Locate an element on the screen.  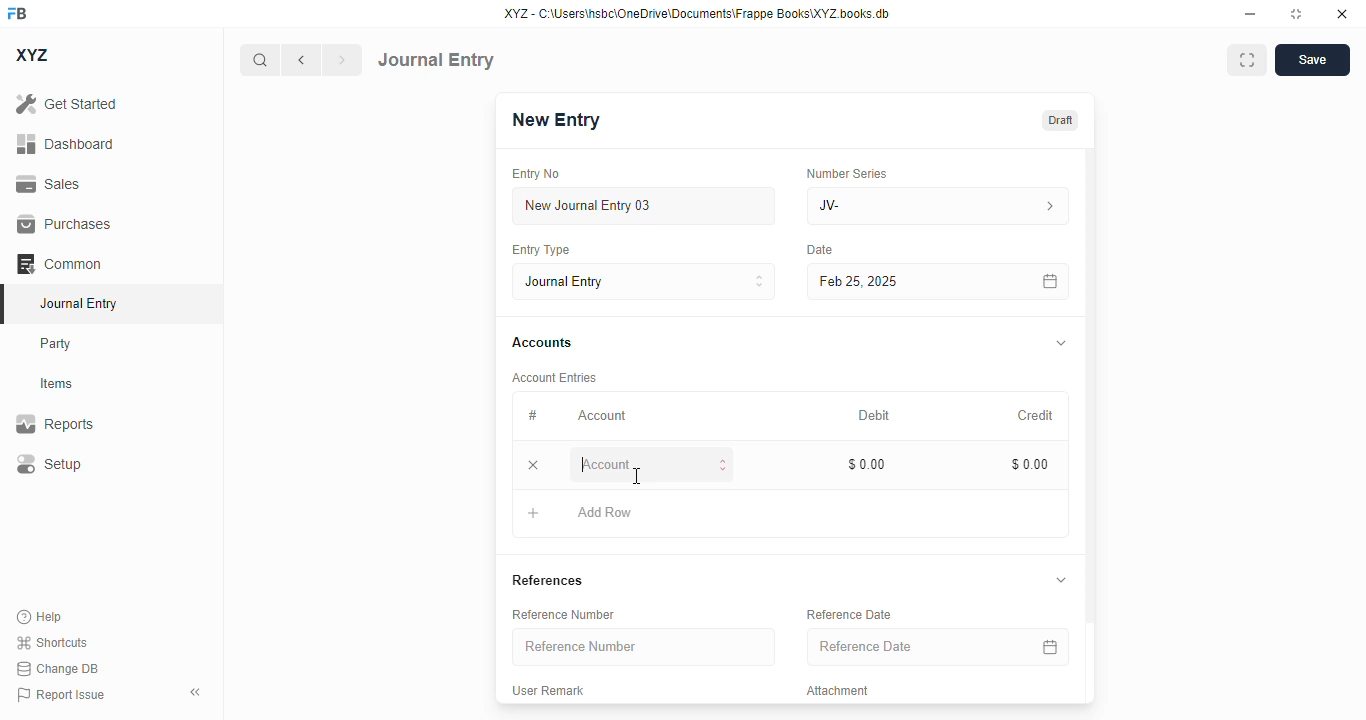
journal entry is located at coordinates (77, 303).